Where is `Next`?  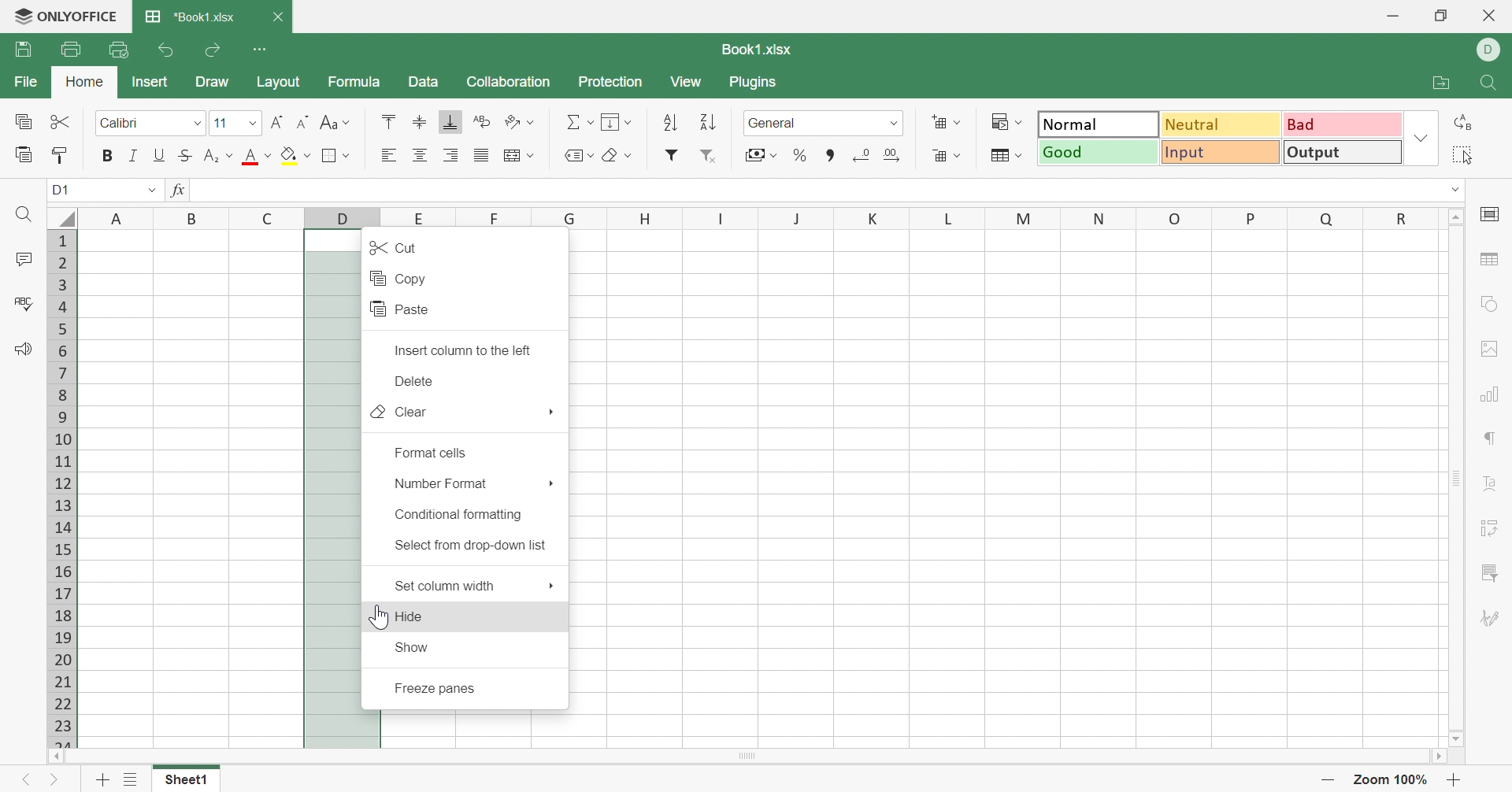 Next is located at coordinates (59, 780).